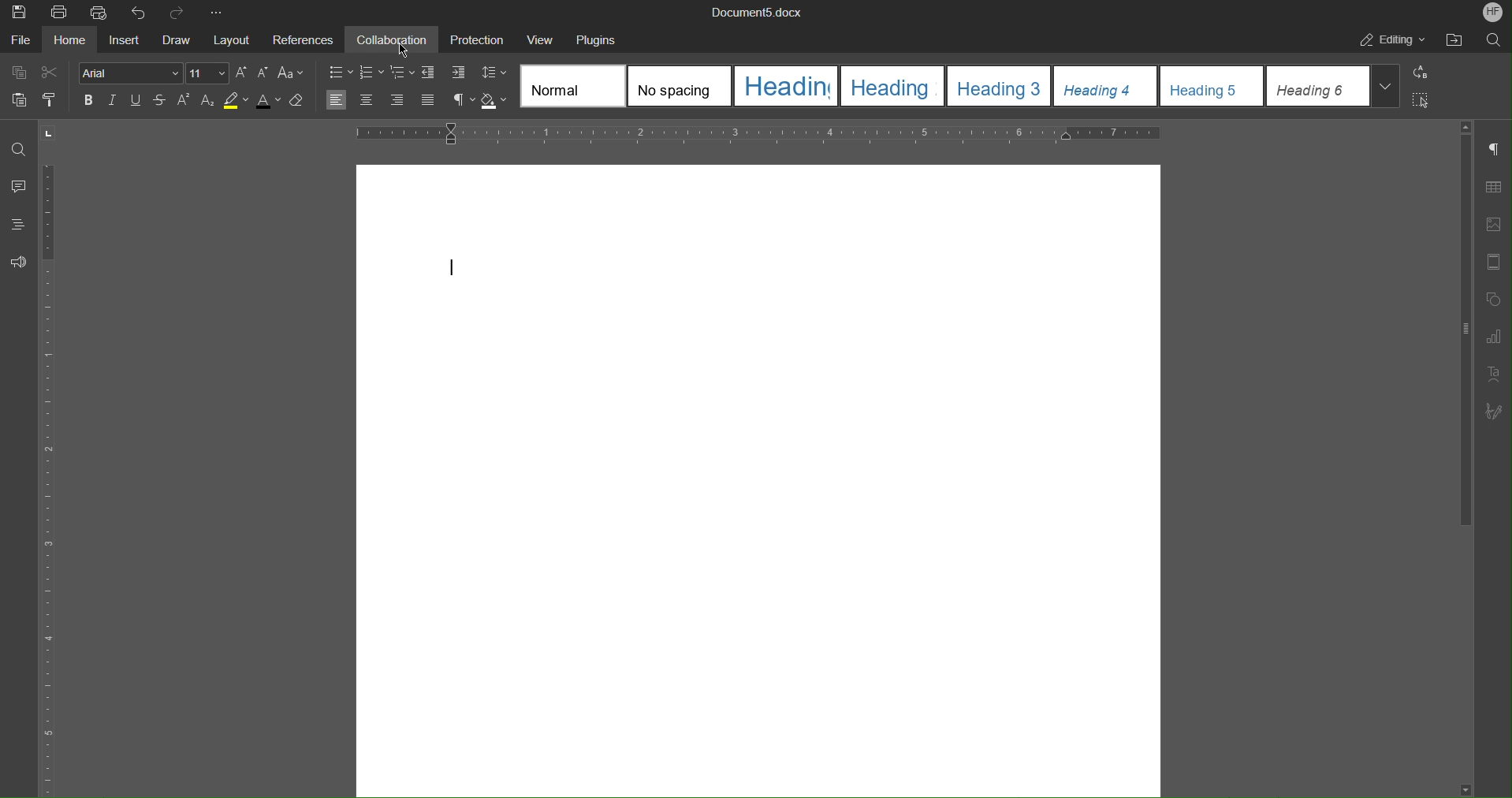 The width and height of the screenshot is (1512, 798). What do you see at coordinates (203, 75) in the screenshot?
I see `Font Size` at bounding box center [203, 75].